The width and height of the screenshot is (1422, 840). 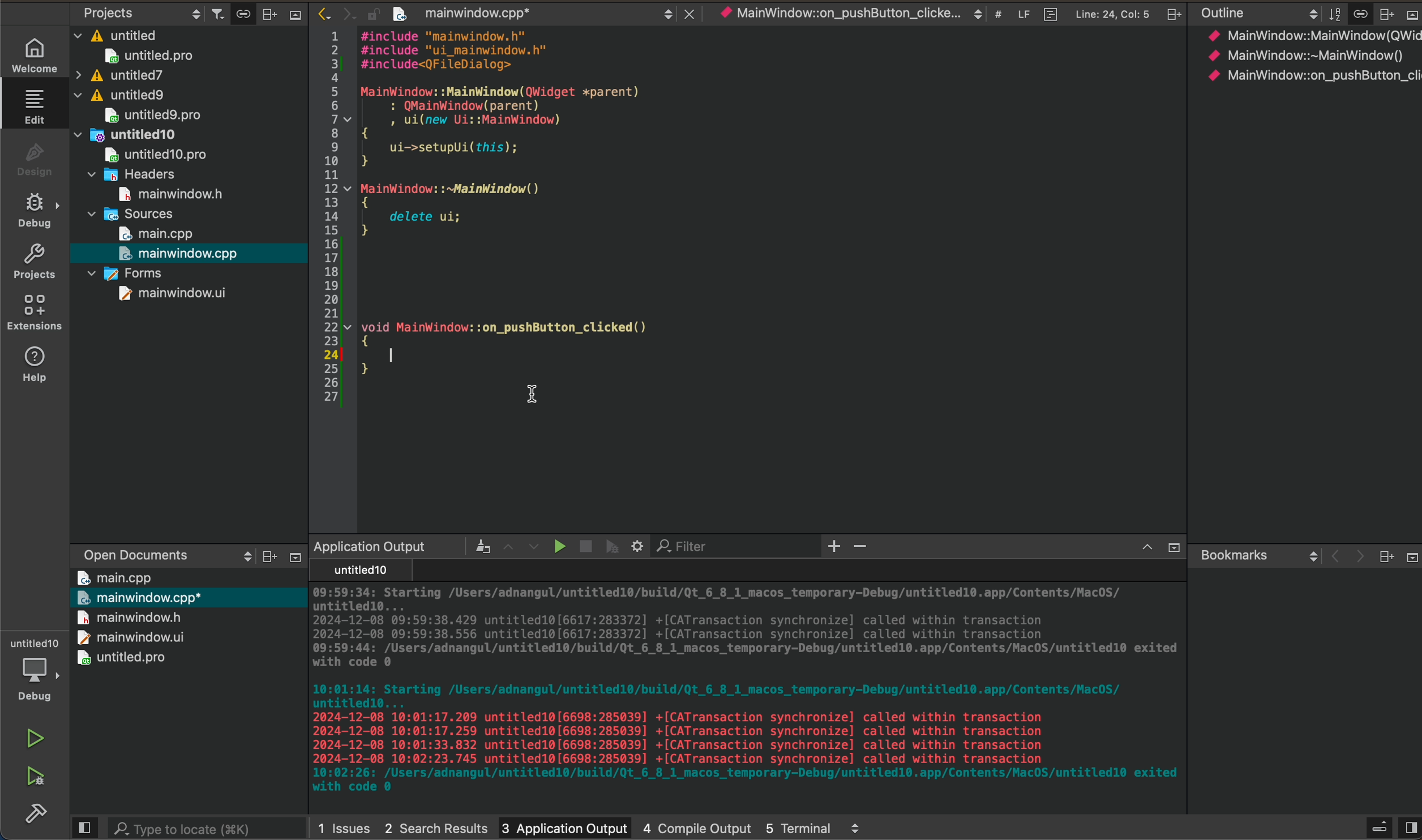 I want to click on scroll, so click(x=190, y=12).